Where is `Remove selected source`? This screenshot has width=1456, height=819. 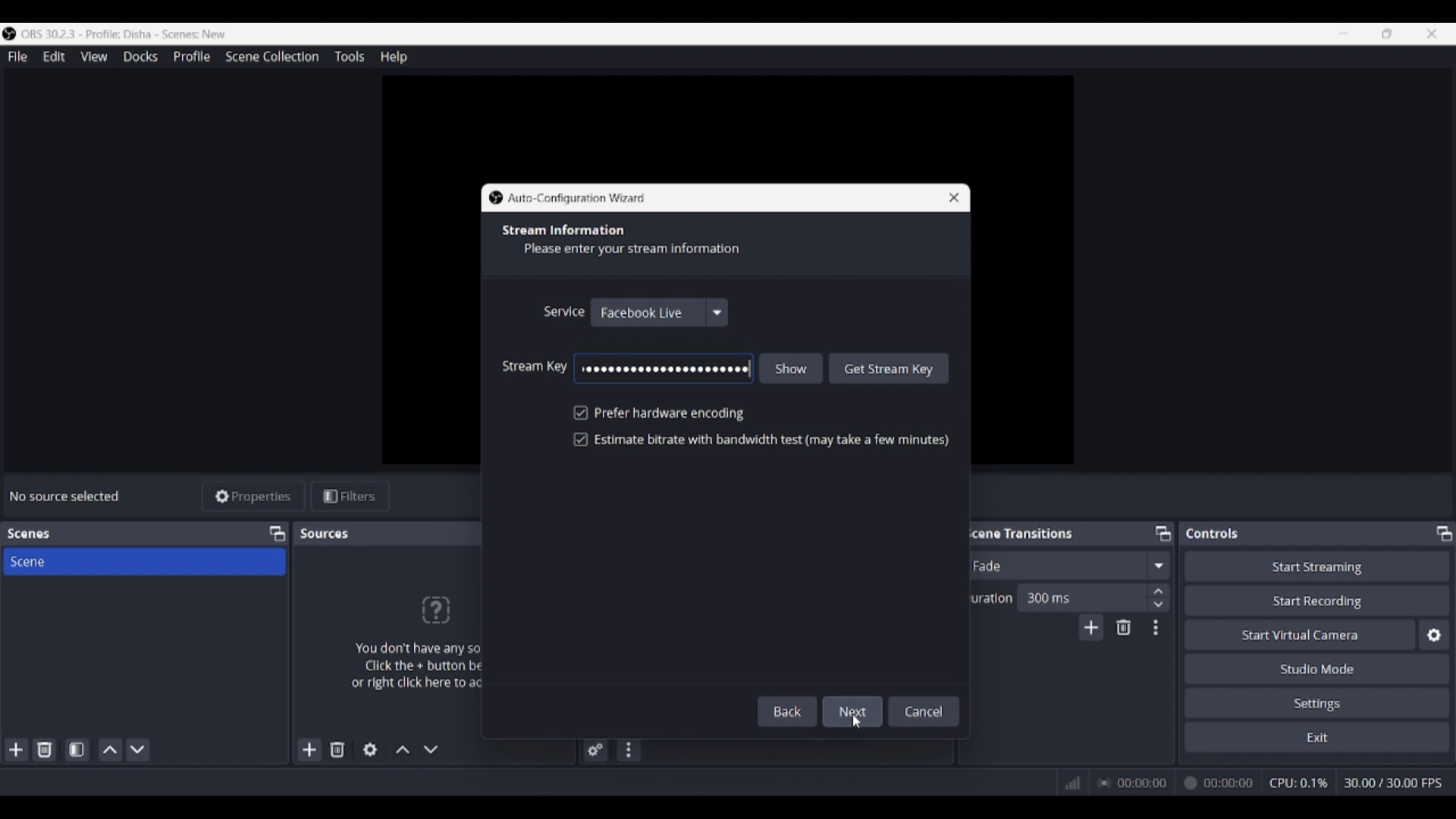
Remove selected source is located at coordinates (337, 749).